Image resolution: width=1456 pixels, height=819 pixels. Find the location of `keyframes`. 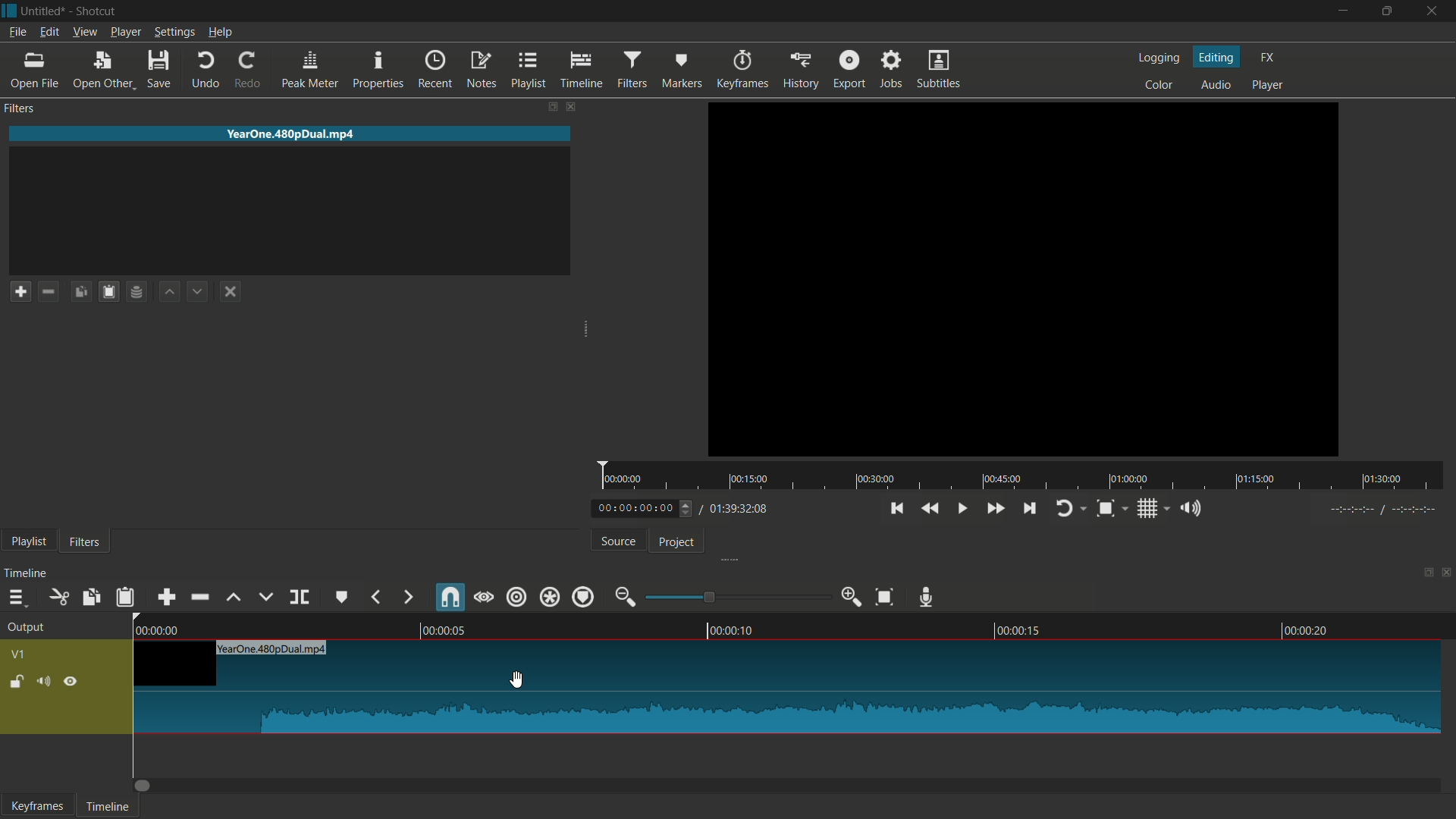

keyframes is located at coordinates (745, 68).